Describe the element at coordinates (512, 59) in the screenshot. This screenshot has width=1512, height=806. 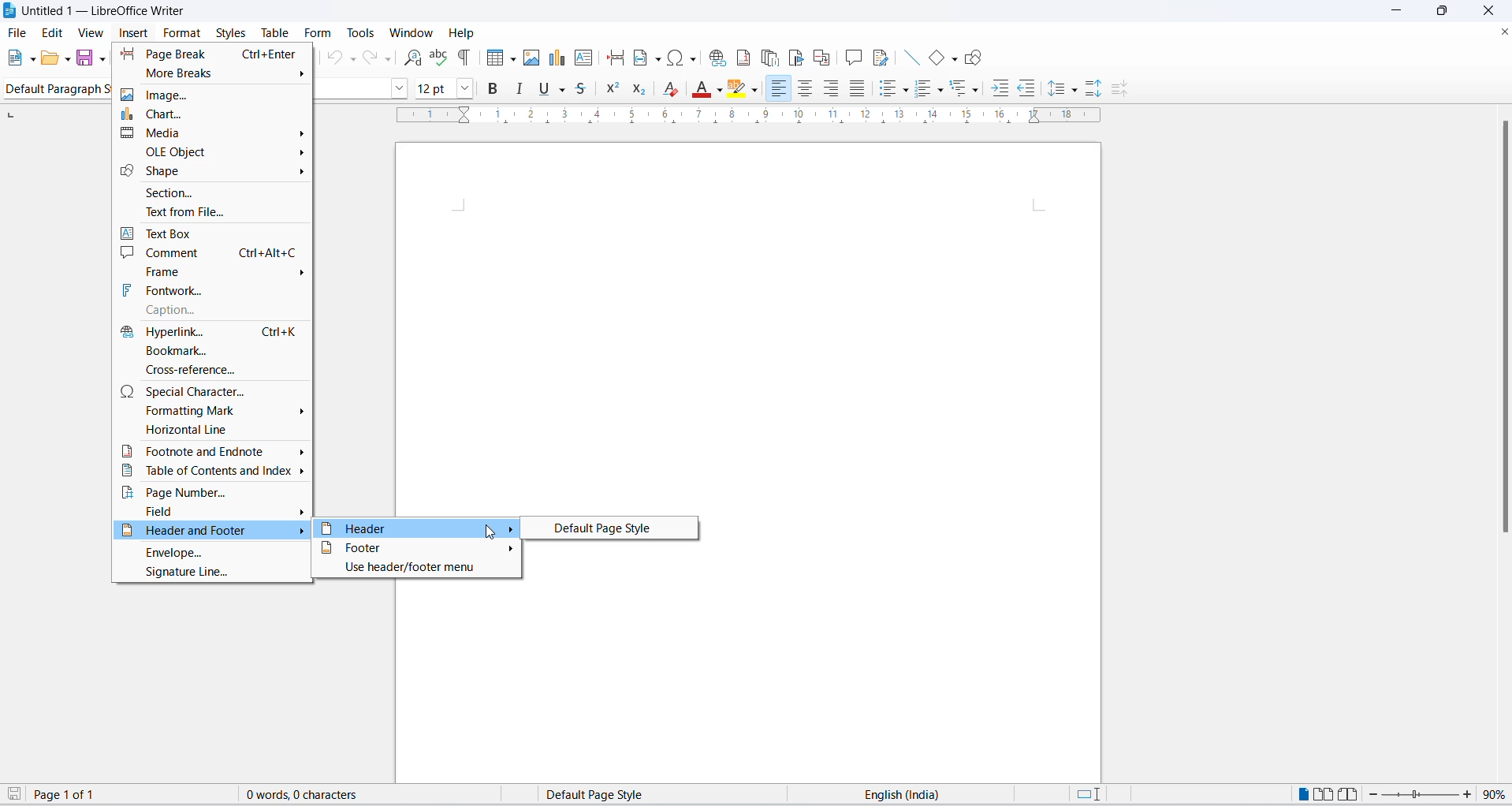
I see `table grid` at that location.